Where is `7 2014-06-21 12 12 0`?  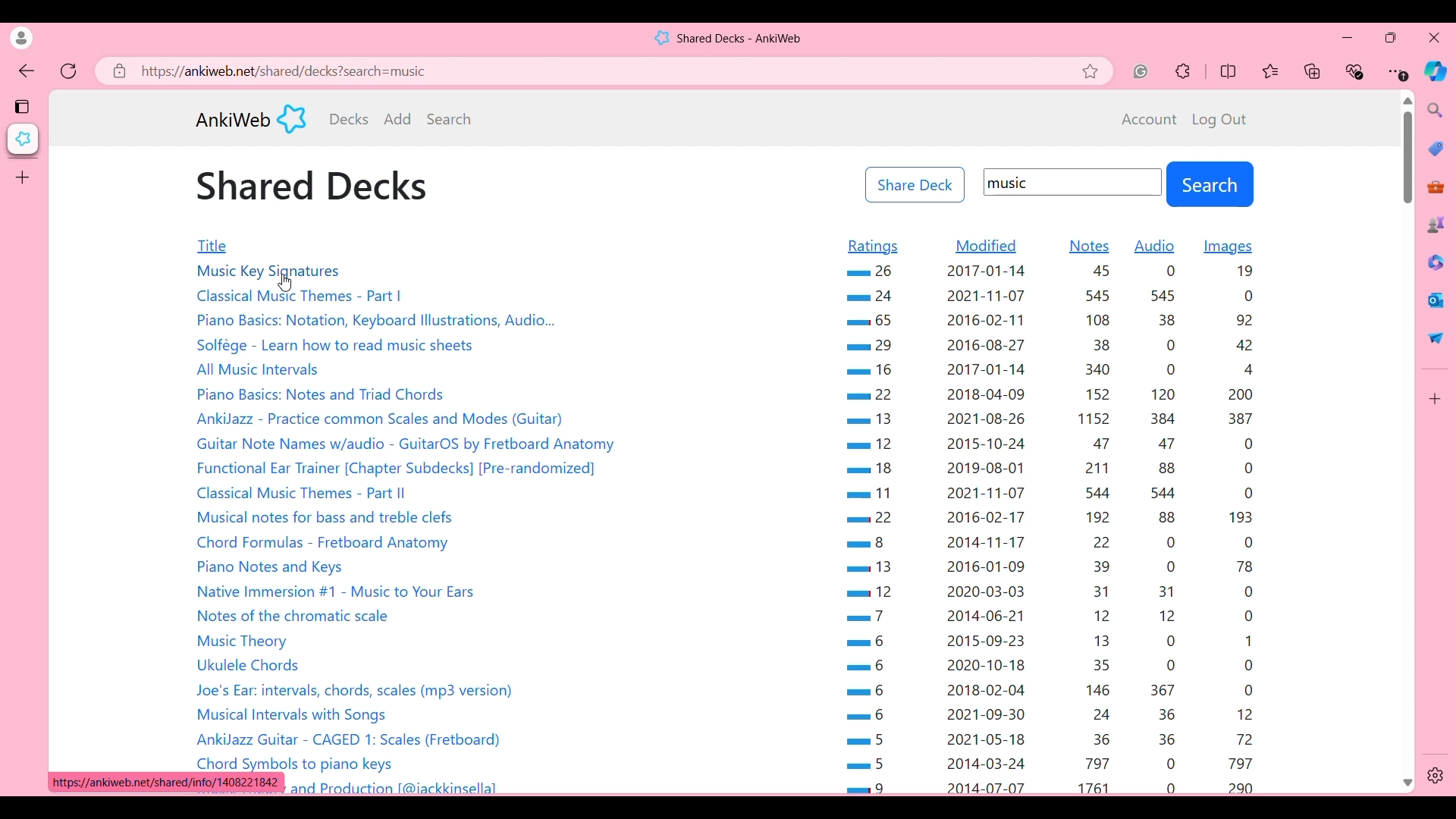 7 2014-06-21 12 12 0 is located at coordinates (1057, 616).